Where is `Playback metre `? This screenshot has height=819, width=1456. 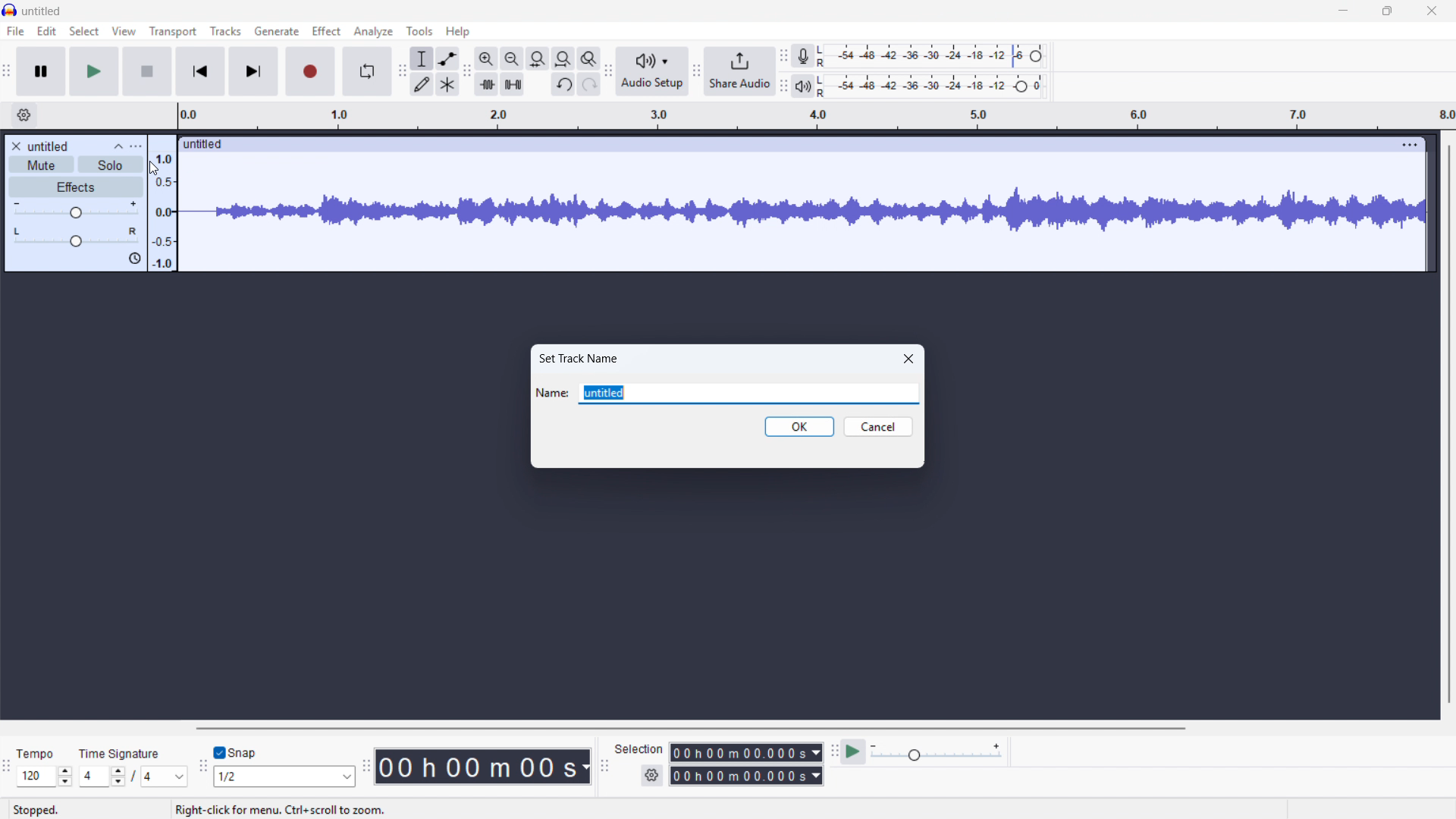 Playback metre  is located at coordinates (803, 87).